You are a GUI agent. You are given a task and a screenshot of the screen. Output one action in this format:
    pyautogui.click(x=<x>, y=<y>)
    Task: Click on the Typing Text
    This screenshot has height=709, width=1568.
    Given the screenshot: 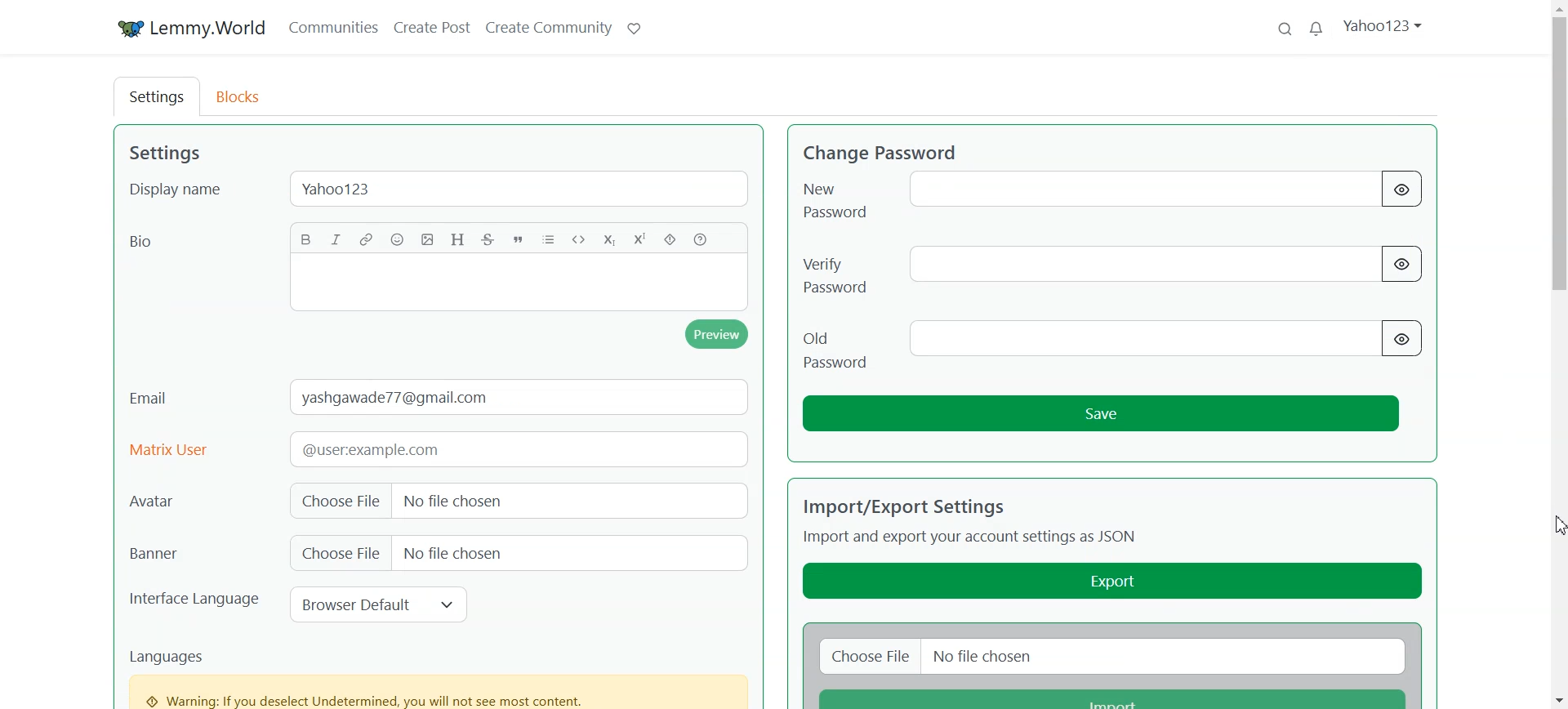 What is the action you would take?
    pyautogui.click(x=518, y=284)
    